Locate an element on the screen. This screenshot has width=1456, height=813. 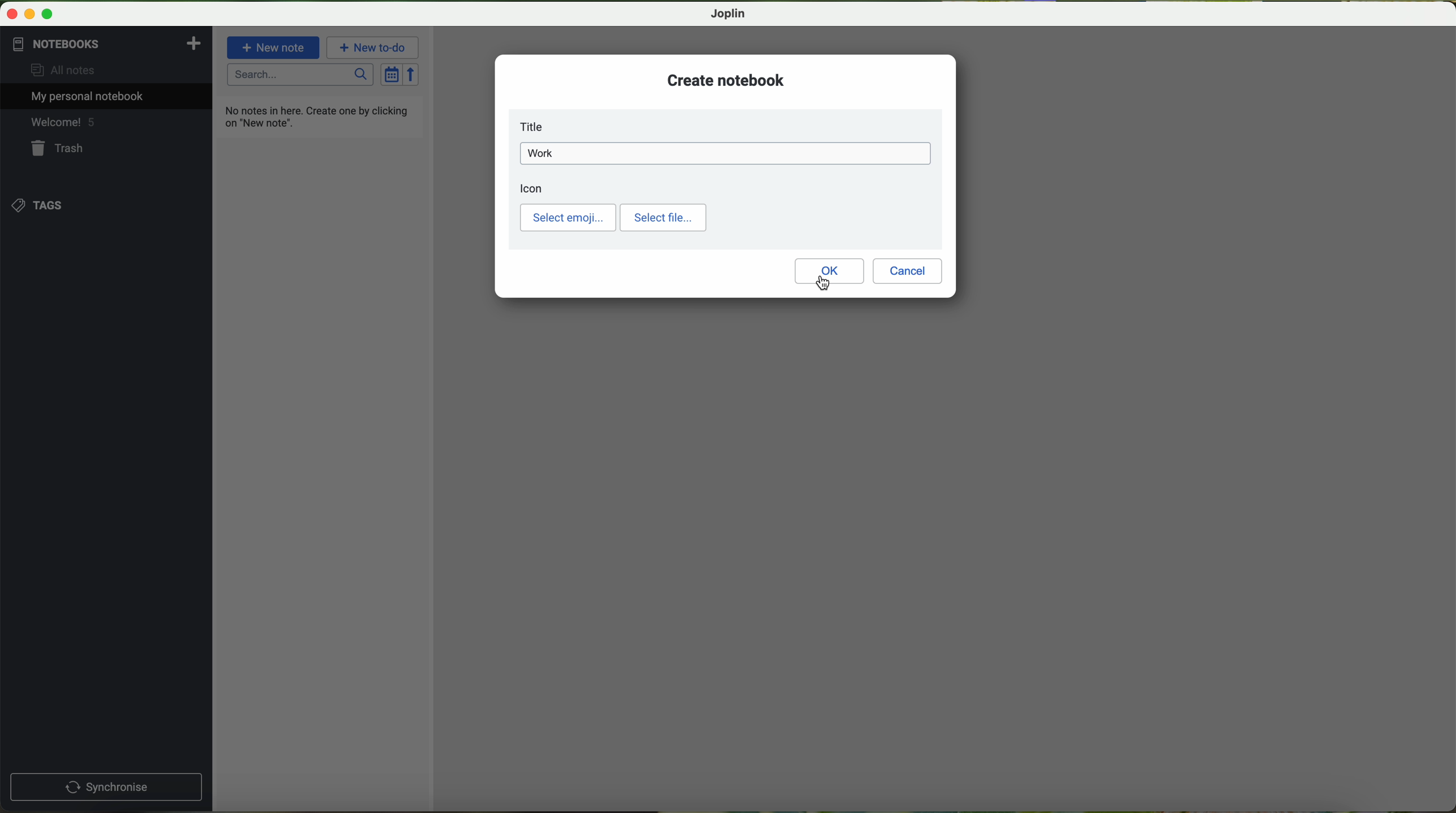
OK is located at coordinates (829, 271).